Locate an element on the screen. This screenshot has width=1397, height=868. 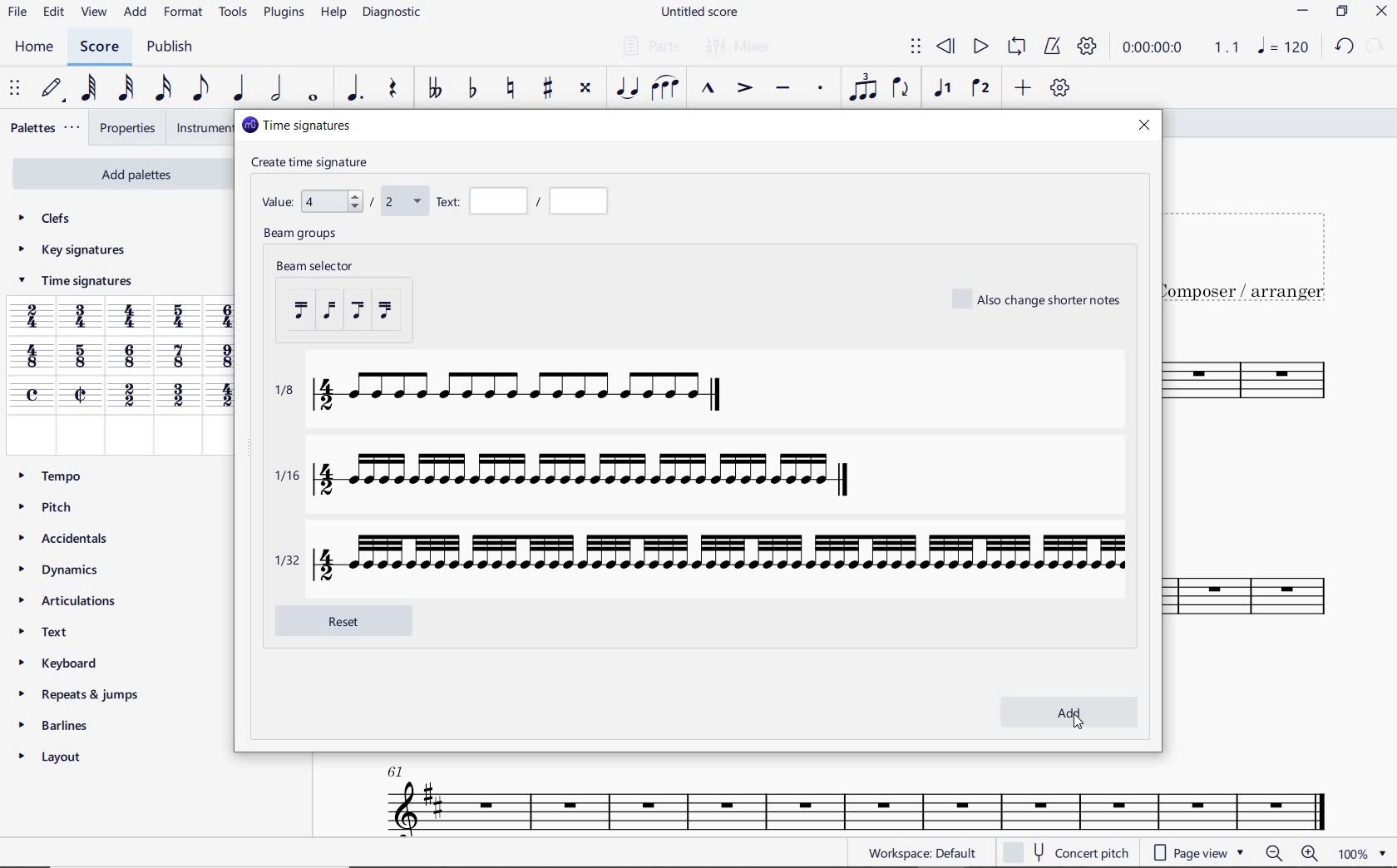
TOGGLE DOUBLE-SHARP is located at coordinates (585, 88).